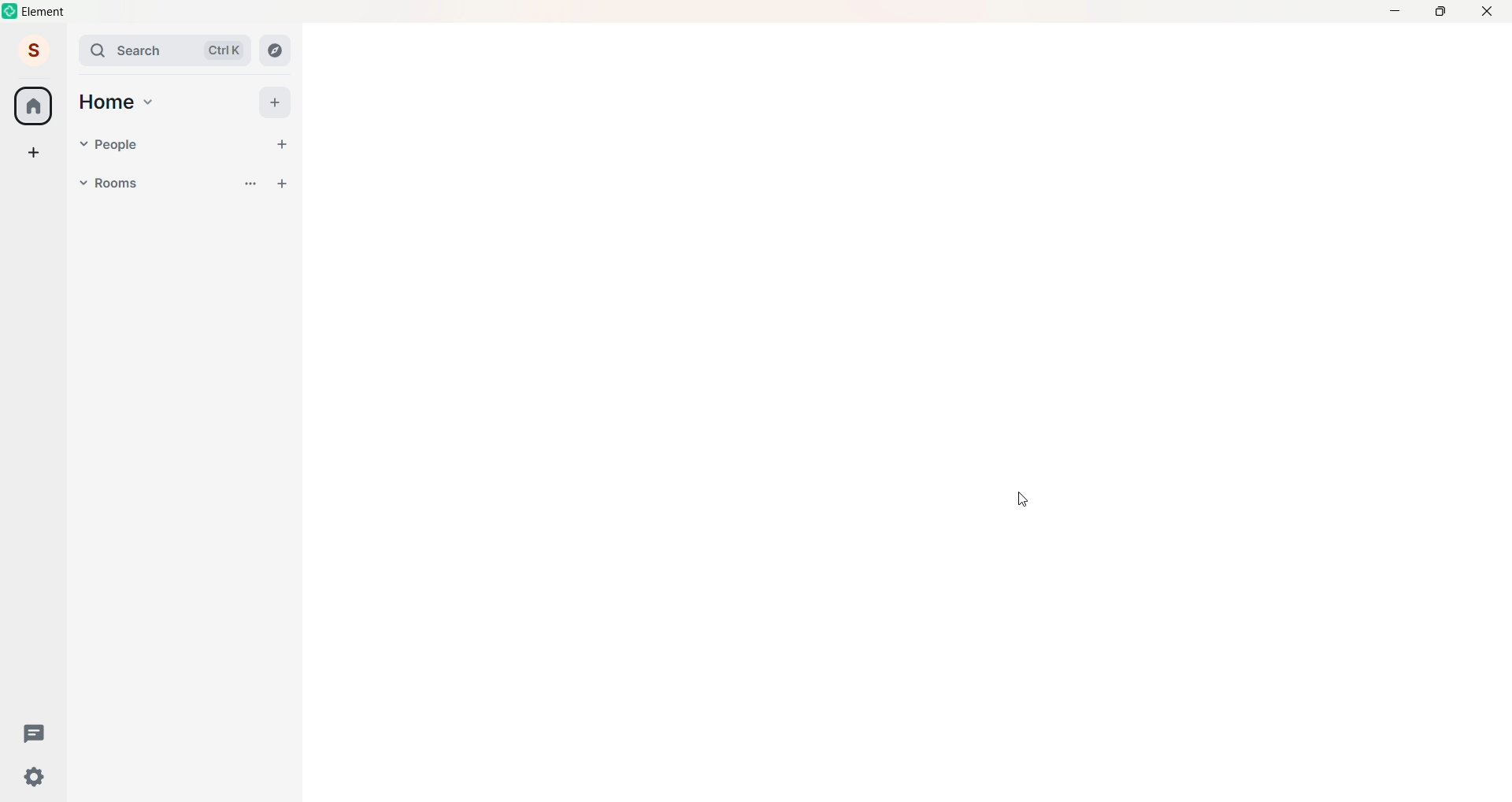 The width and height of the screenshot is (1512, 802). Describe the element at coordinates (283, 183) in the screenshot. I see `Add Room` at that location.